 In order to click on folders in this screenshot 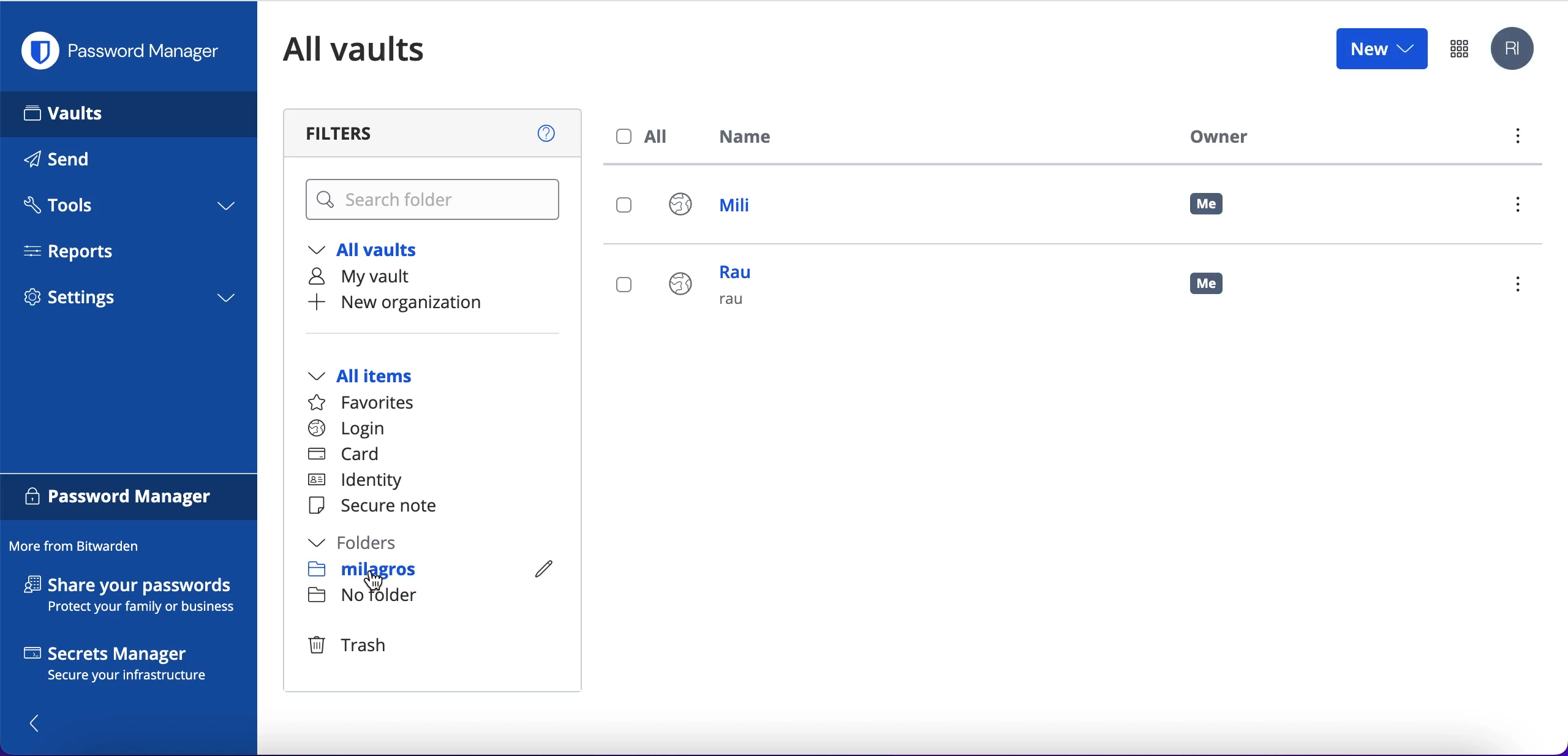, I will do `click(366, 543)`.